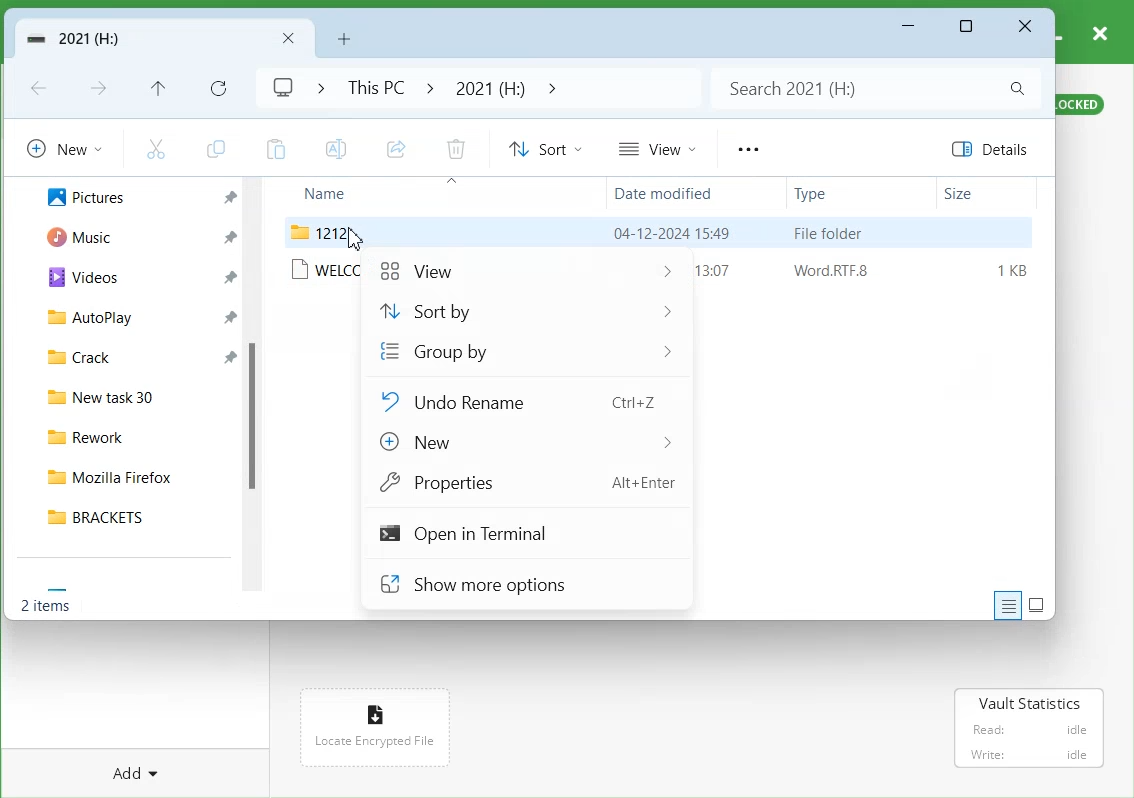  What do you see at coordinates (372, 87) in the screenshot?
I see `This PC` at bounding box center [372, 87].